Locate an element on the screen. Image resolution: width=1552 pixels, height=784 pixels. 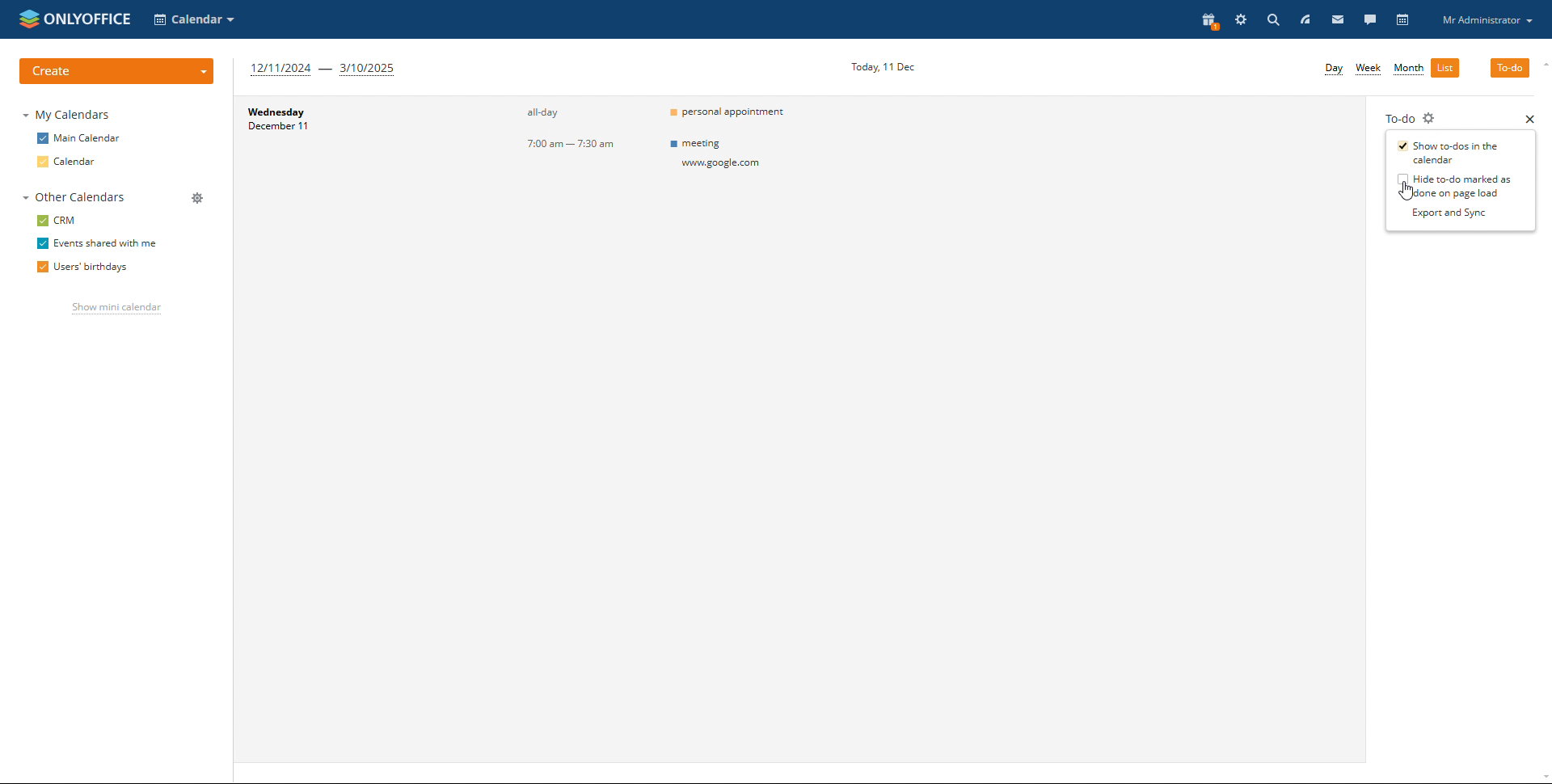
mail is located at coordinates (1337, 21).